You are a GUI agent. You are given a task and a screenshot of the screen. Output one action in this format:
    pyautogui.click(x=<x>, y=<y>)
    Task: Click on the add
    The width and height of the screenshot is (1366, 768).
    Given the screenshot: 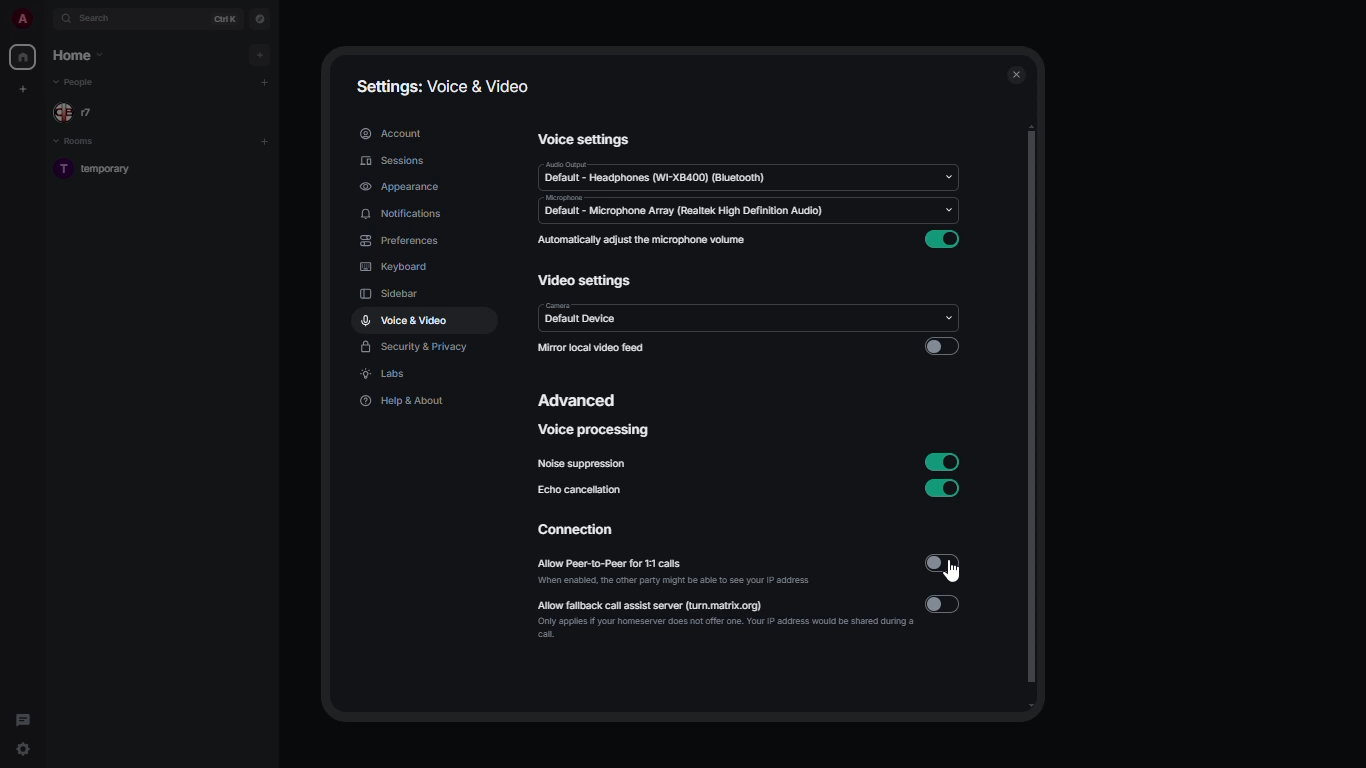 What is the action you would take?
    pyautogui.click(x=265, y=81)
    